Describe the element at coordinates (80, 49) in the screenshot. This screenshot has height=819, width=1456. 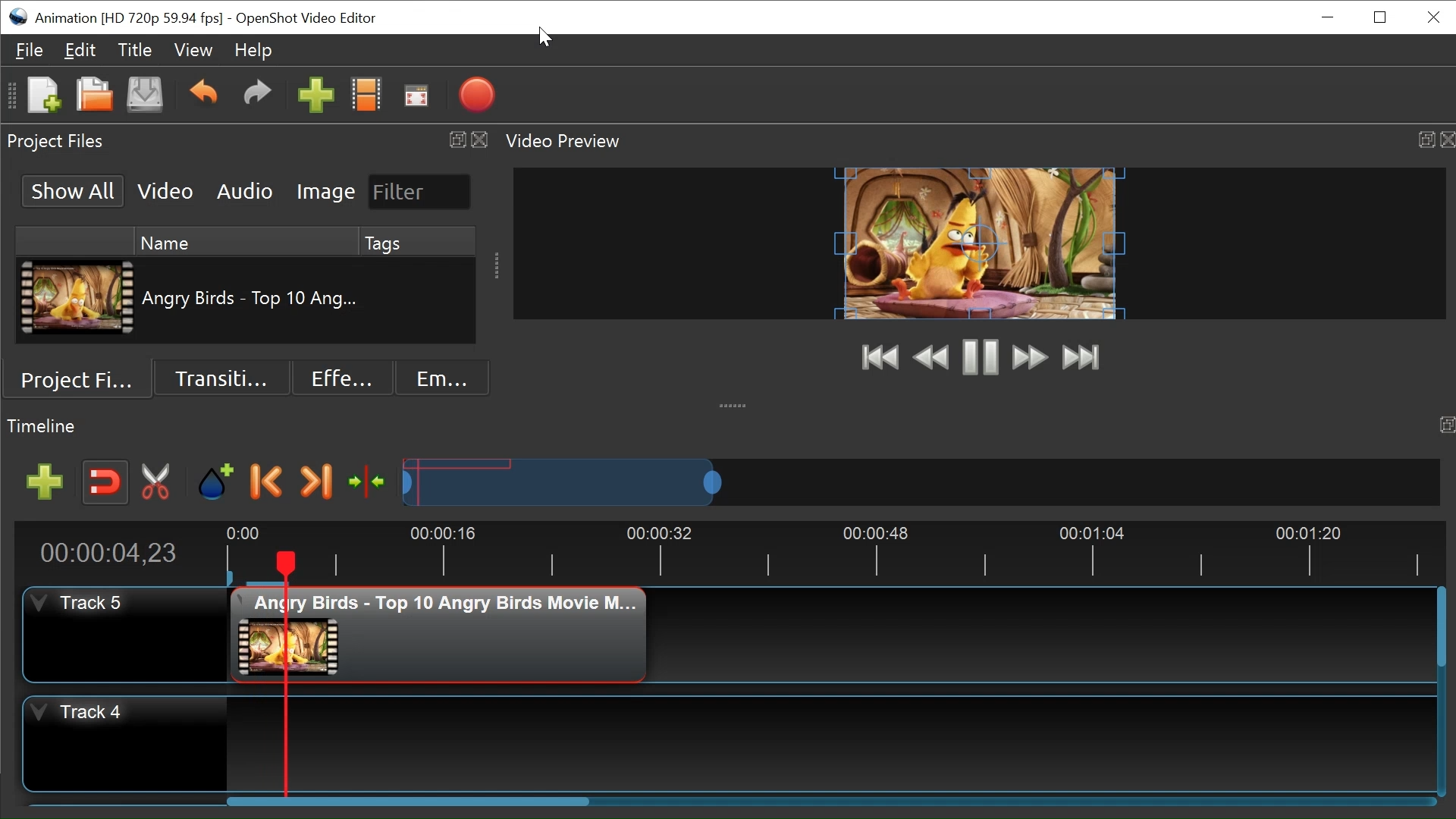
I see `Edit` at that location.